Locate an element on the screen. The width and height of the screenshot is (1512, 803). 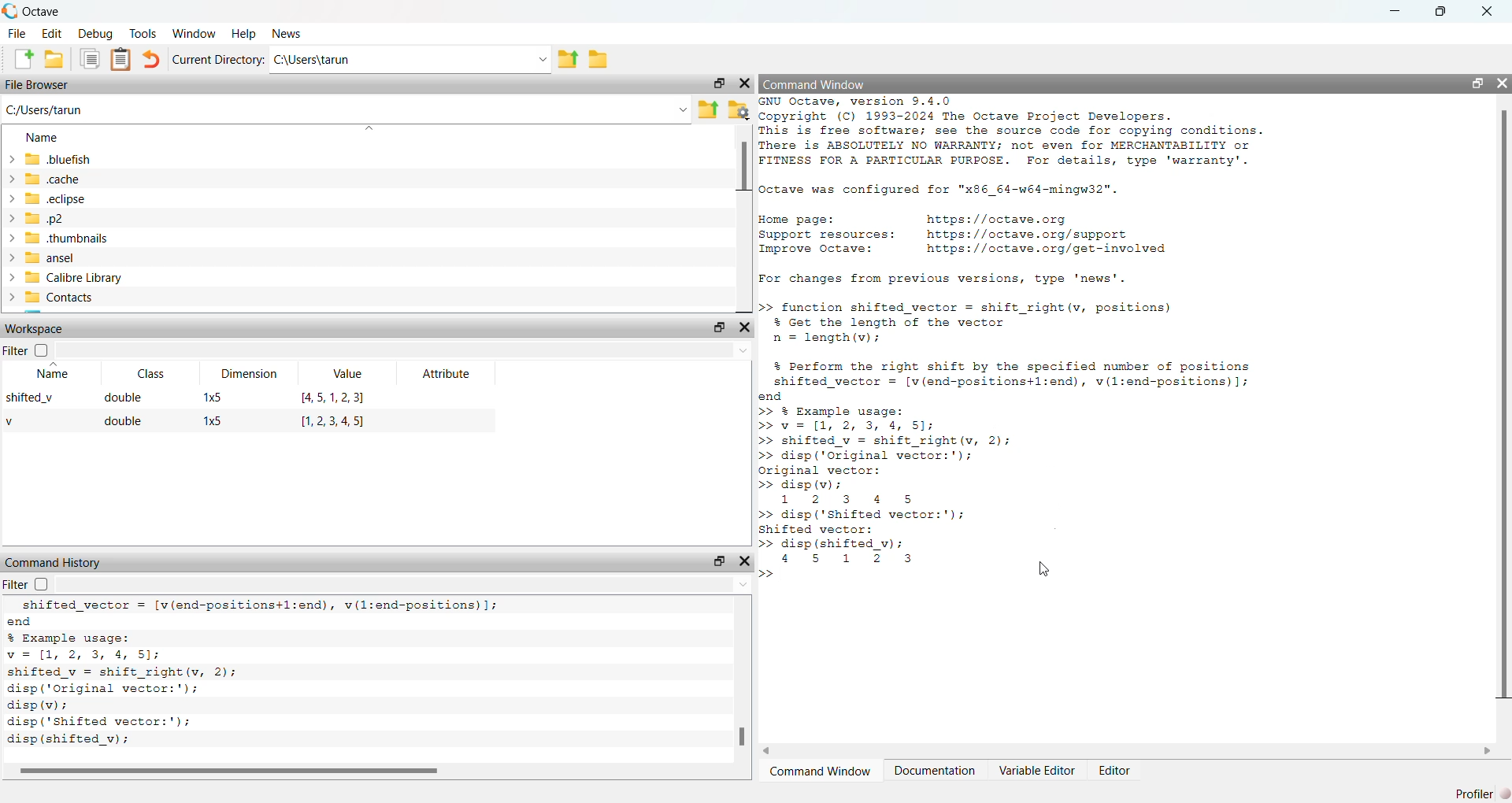
variable editor is located at coordinates (1033, 772).